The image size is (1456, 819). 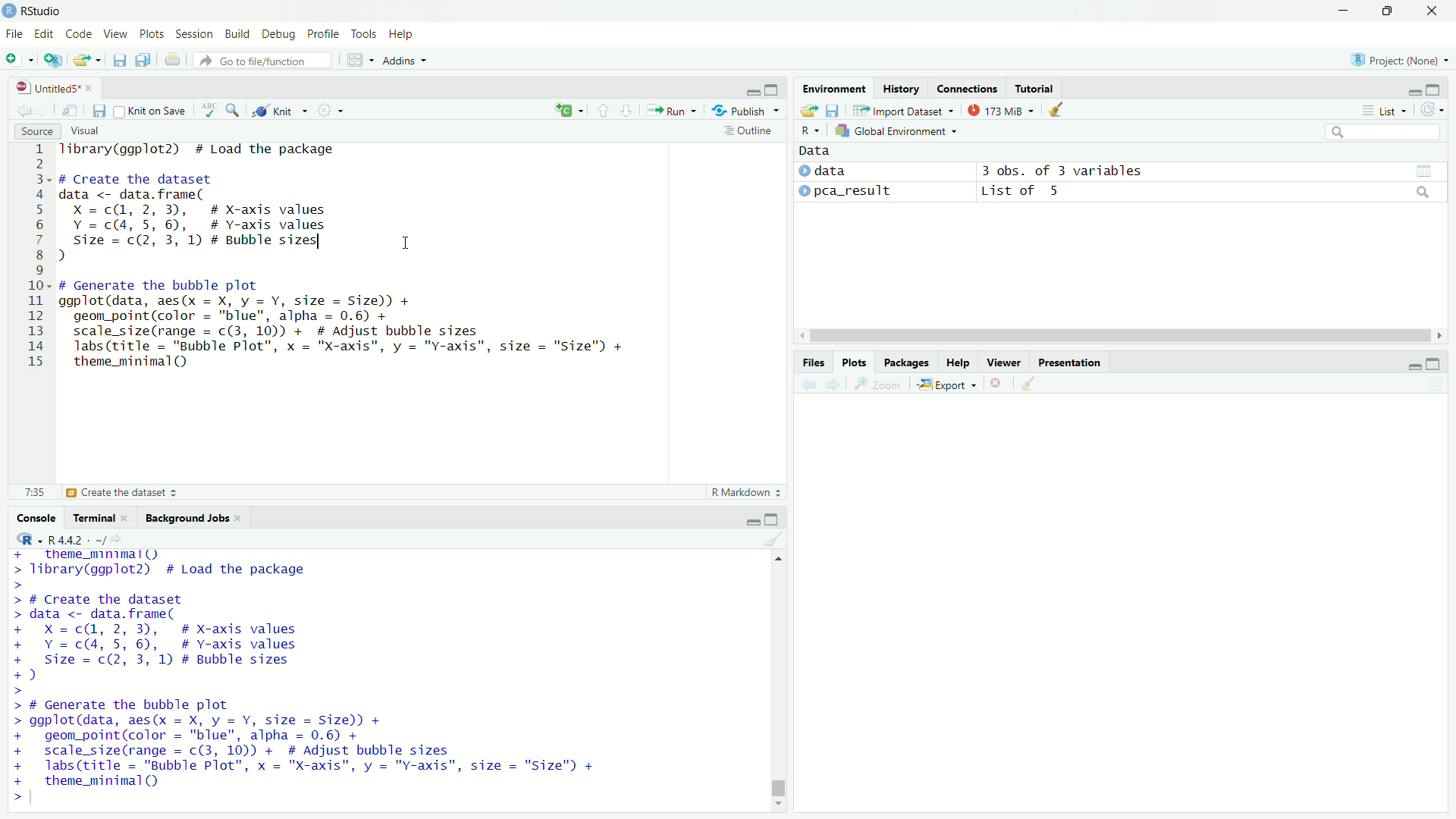 I want to click on knit on save, so click(x=152, y=110).